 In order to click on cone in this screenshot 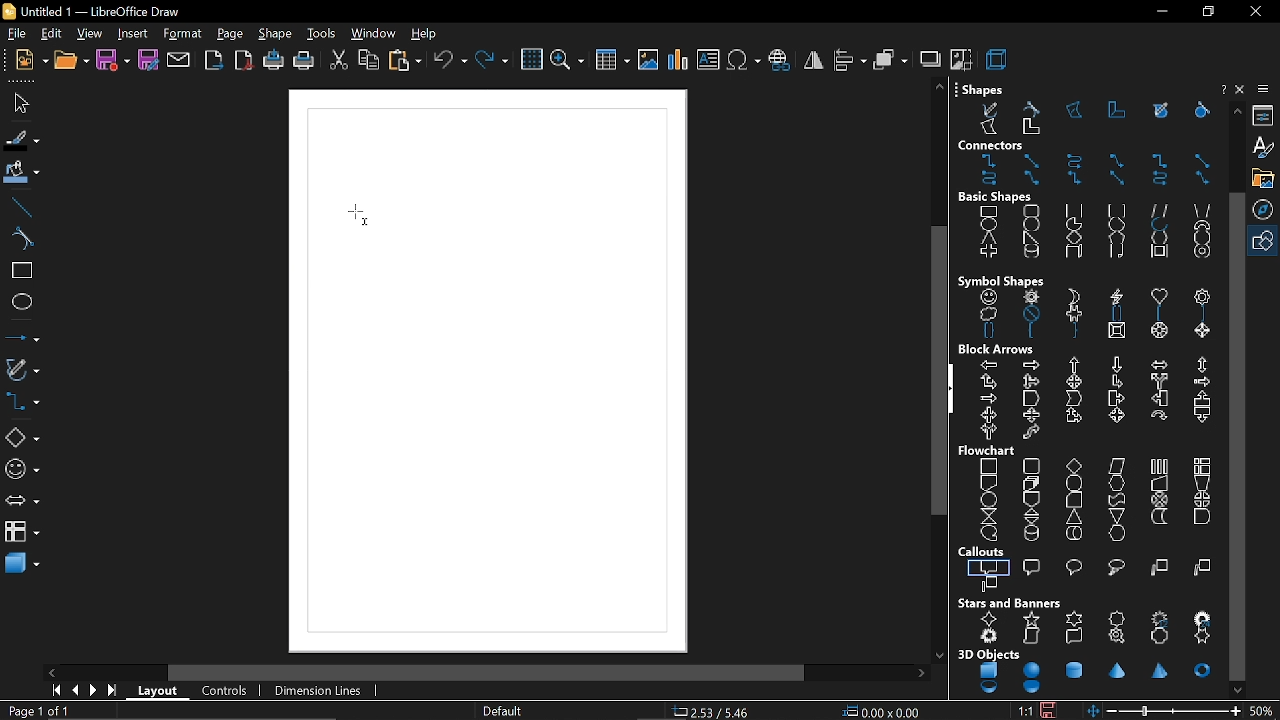, I will do `click(1119, 670)`.